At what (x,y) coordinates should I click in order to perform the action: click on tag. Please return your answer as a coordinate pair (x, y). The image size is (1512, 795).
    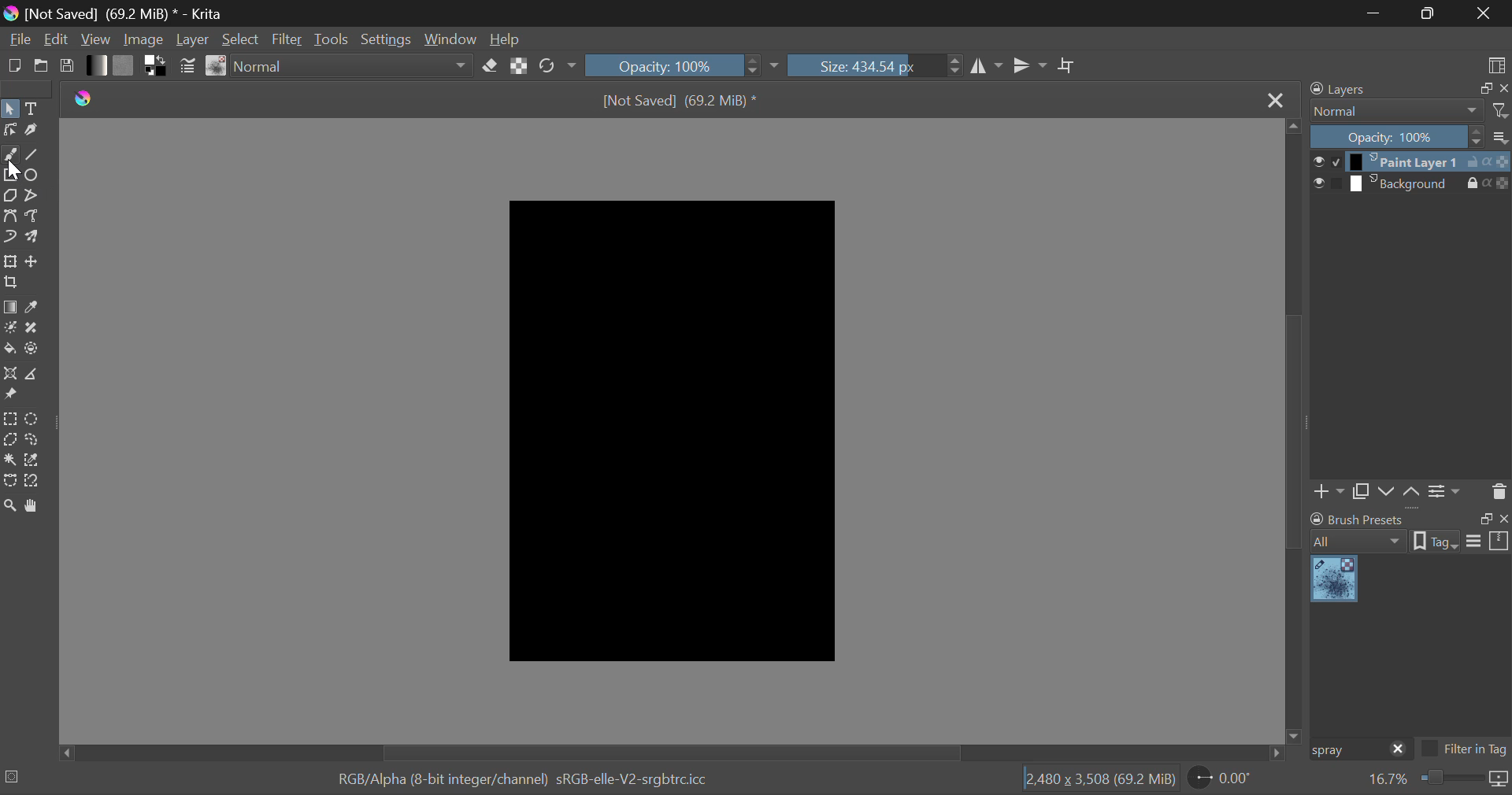
    Looking at the image, I should click on (1436, 543).